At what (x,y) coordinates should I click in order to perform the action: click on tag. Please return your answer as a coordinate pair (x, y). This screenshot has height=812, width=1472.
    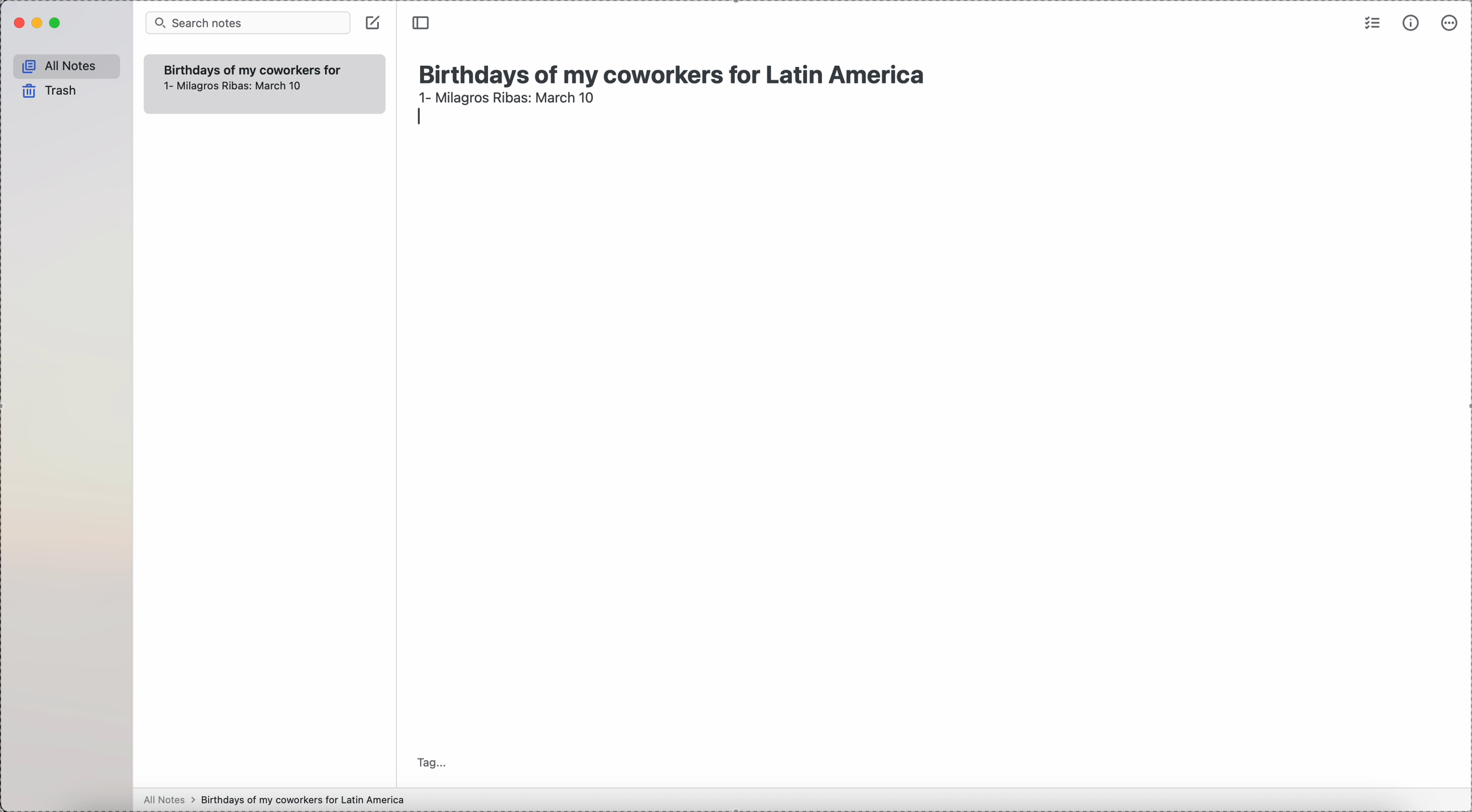
    Looking at the image, I should click on (433, 762).